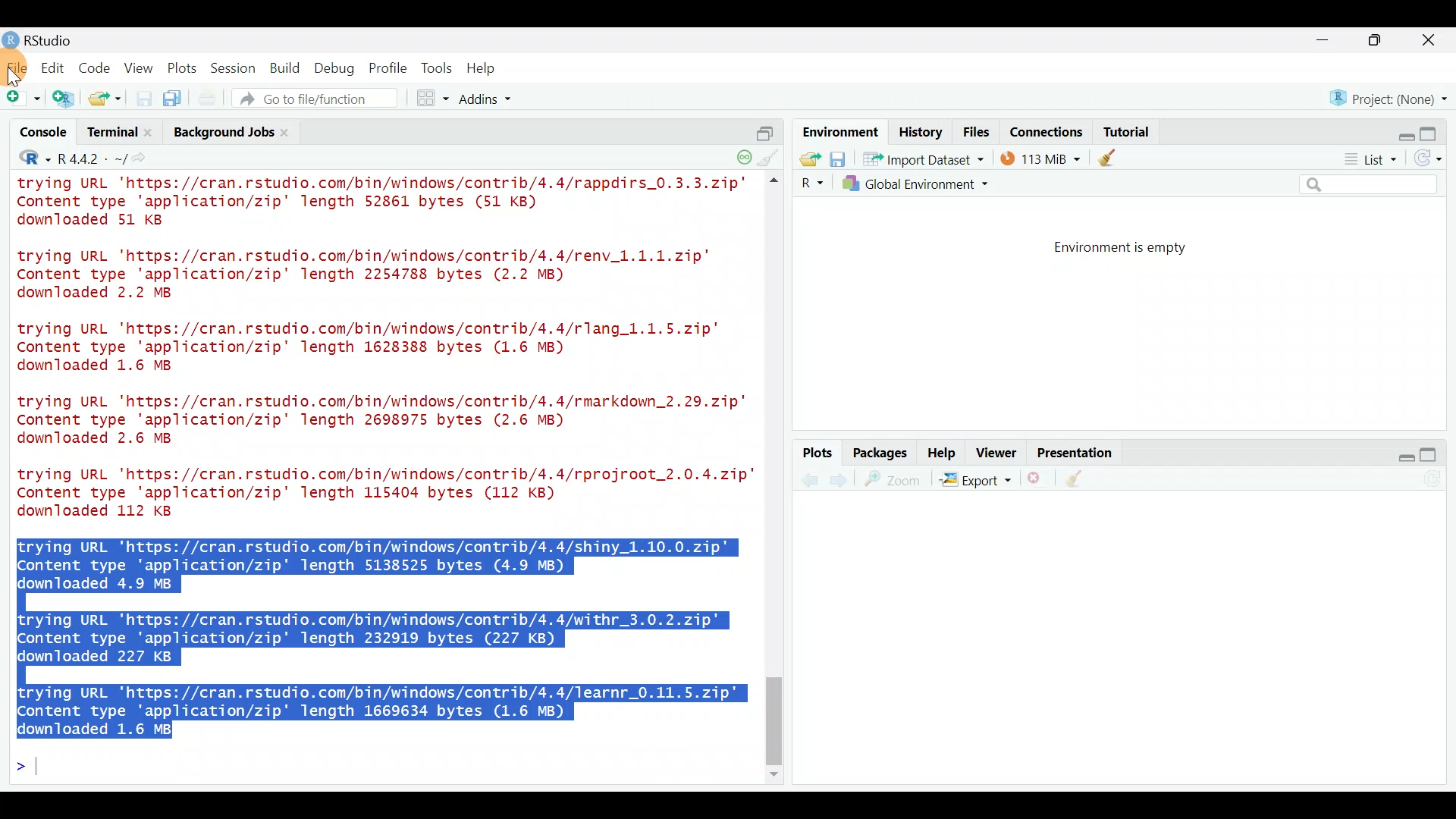 The image size is (1456, 819). Describe the element at coordinates (383, 275) in the screenshot. I see `trying URL 'https://cran.rstudio.com/bin/windows/contrib/4.4/renv_1.1.1.zip"
Content type 'application/zip' length 2254788 bytes (2.2 MB)
downloaded 2.2 MB` at that location.